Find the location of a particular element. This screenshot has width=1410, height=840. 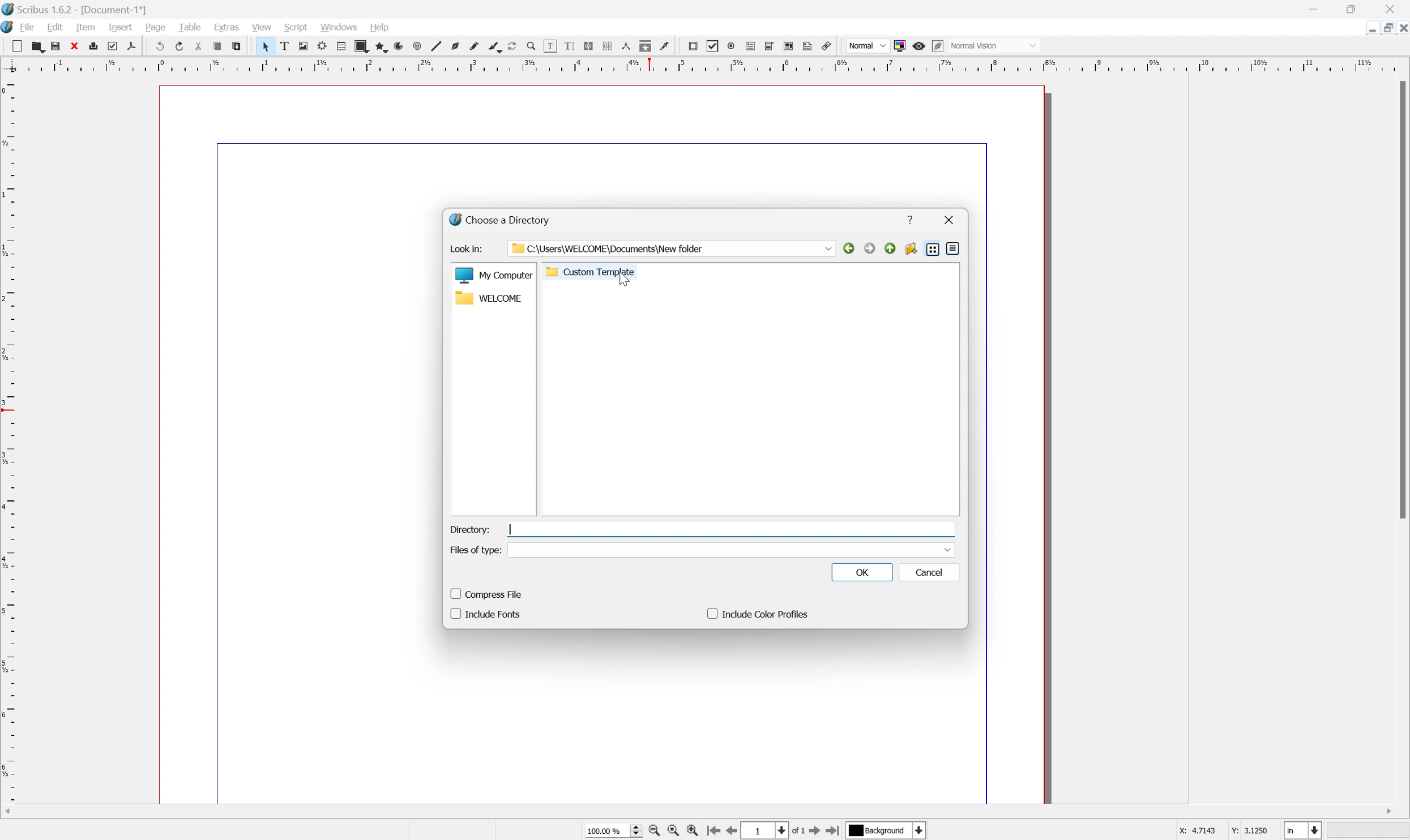

back is located at coordinates (849, 249).